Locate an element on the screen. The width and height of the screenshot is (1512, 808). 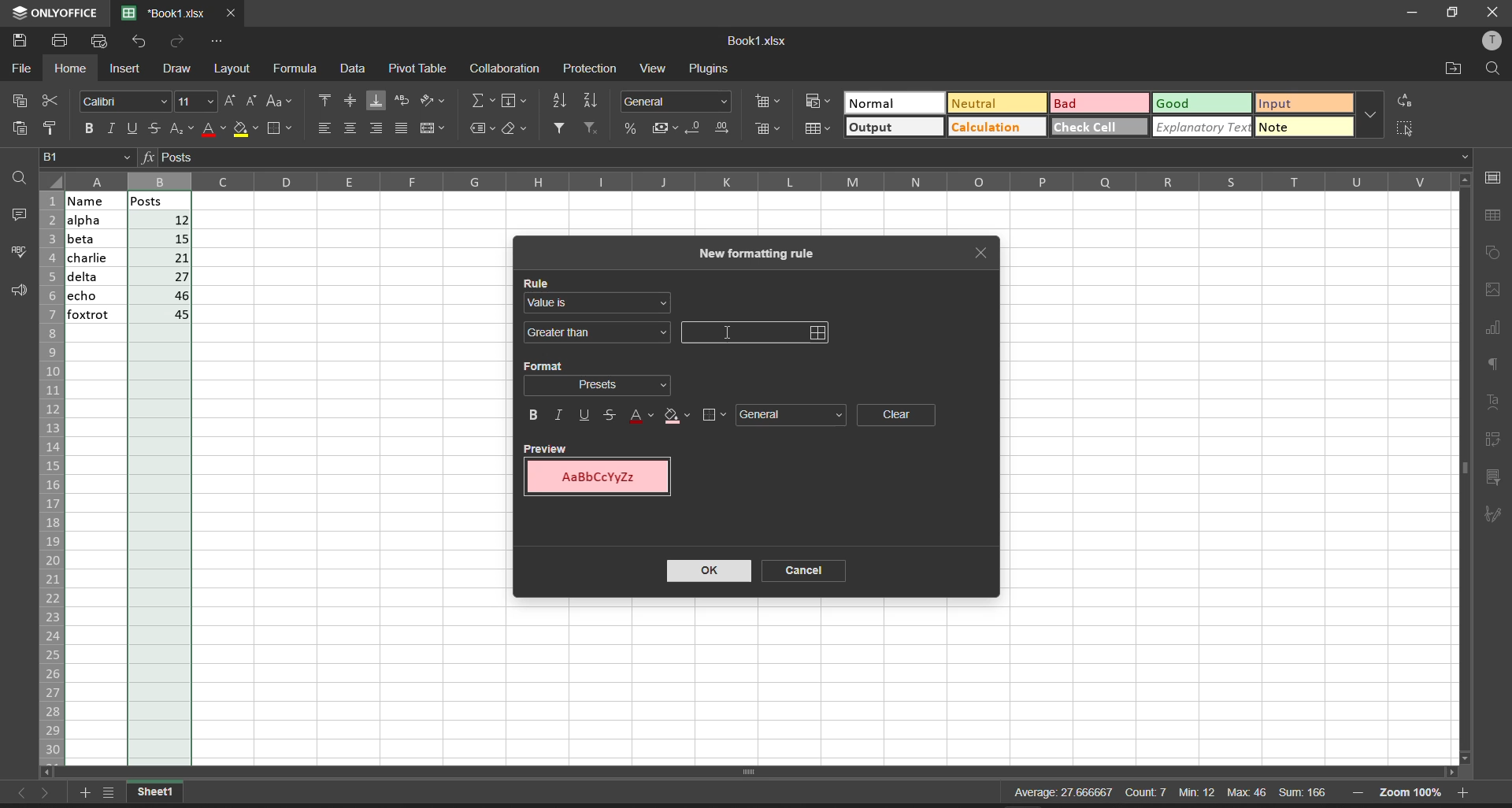
value is is located at coordinates (600, 305).